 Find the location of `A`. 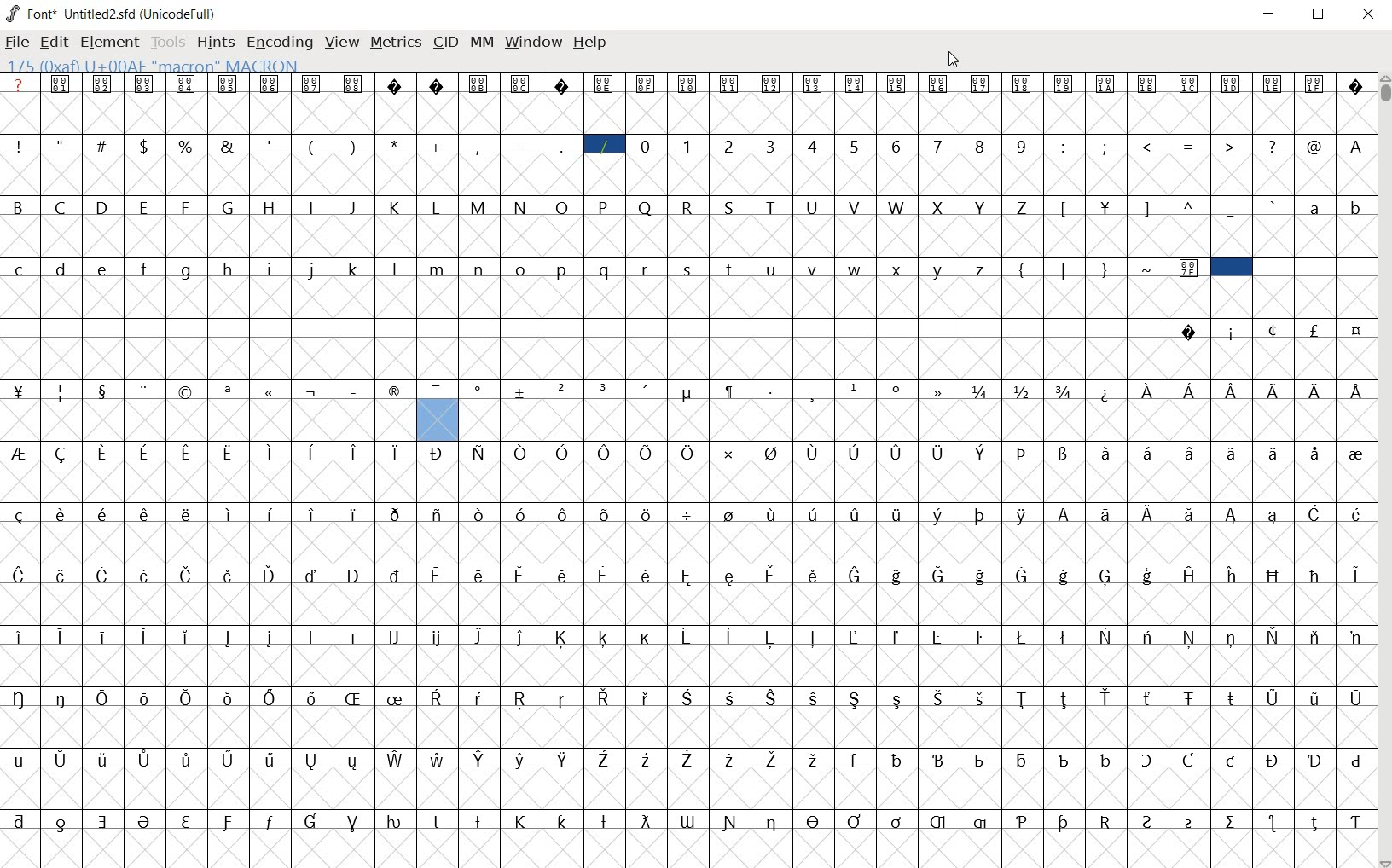

A is located at coordinates (1358, 145).